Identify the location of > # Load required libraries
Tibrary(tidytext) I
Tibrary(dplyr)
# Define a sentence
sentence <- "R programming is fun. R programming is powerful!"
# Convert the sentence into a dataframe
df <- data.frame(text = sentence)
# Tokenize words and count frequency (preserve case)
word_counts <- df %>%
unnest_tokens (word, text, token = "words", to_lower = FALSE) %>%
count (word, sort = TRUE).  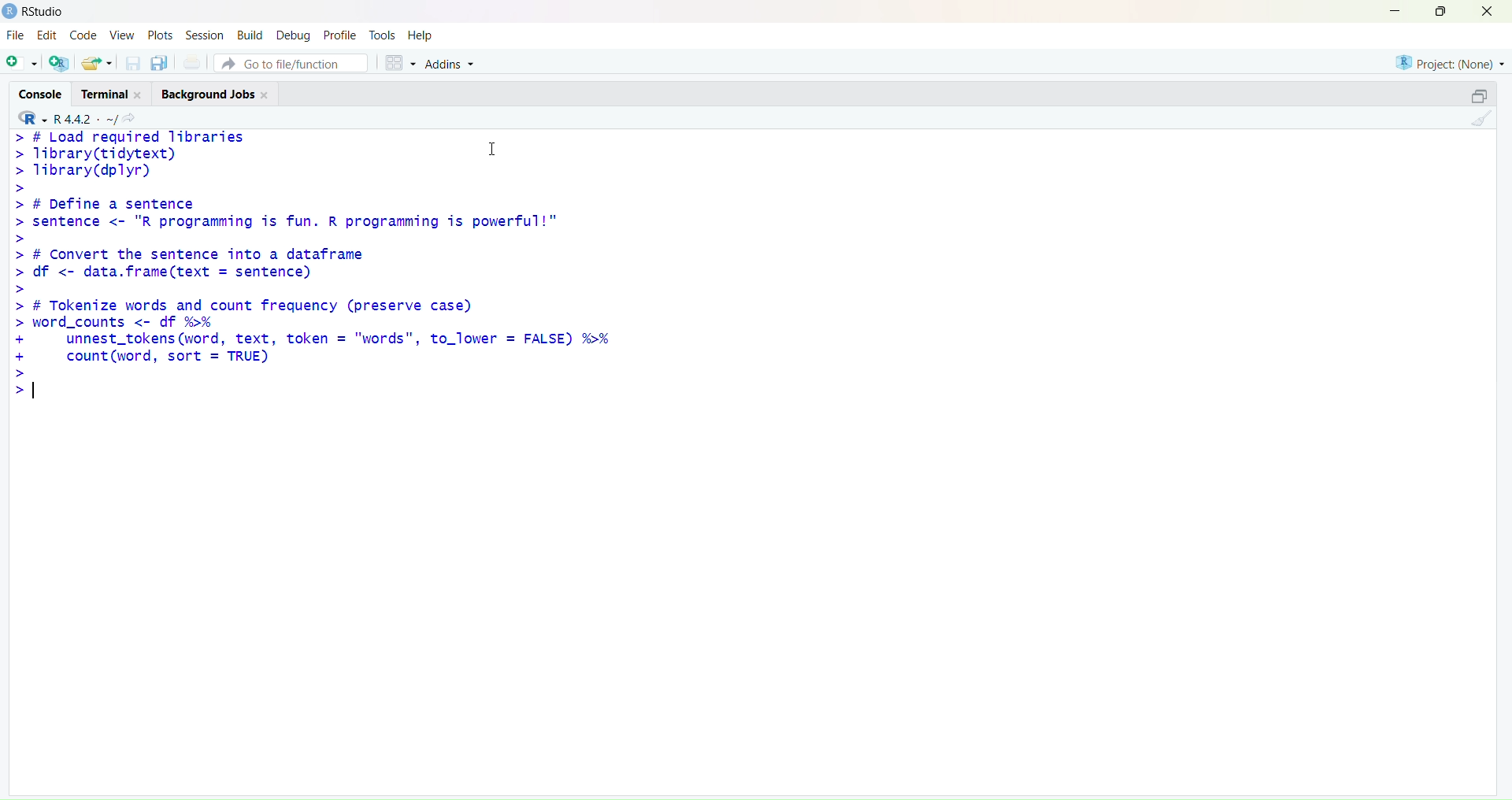
(362, 270).